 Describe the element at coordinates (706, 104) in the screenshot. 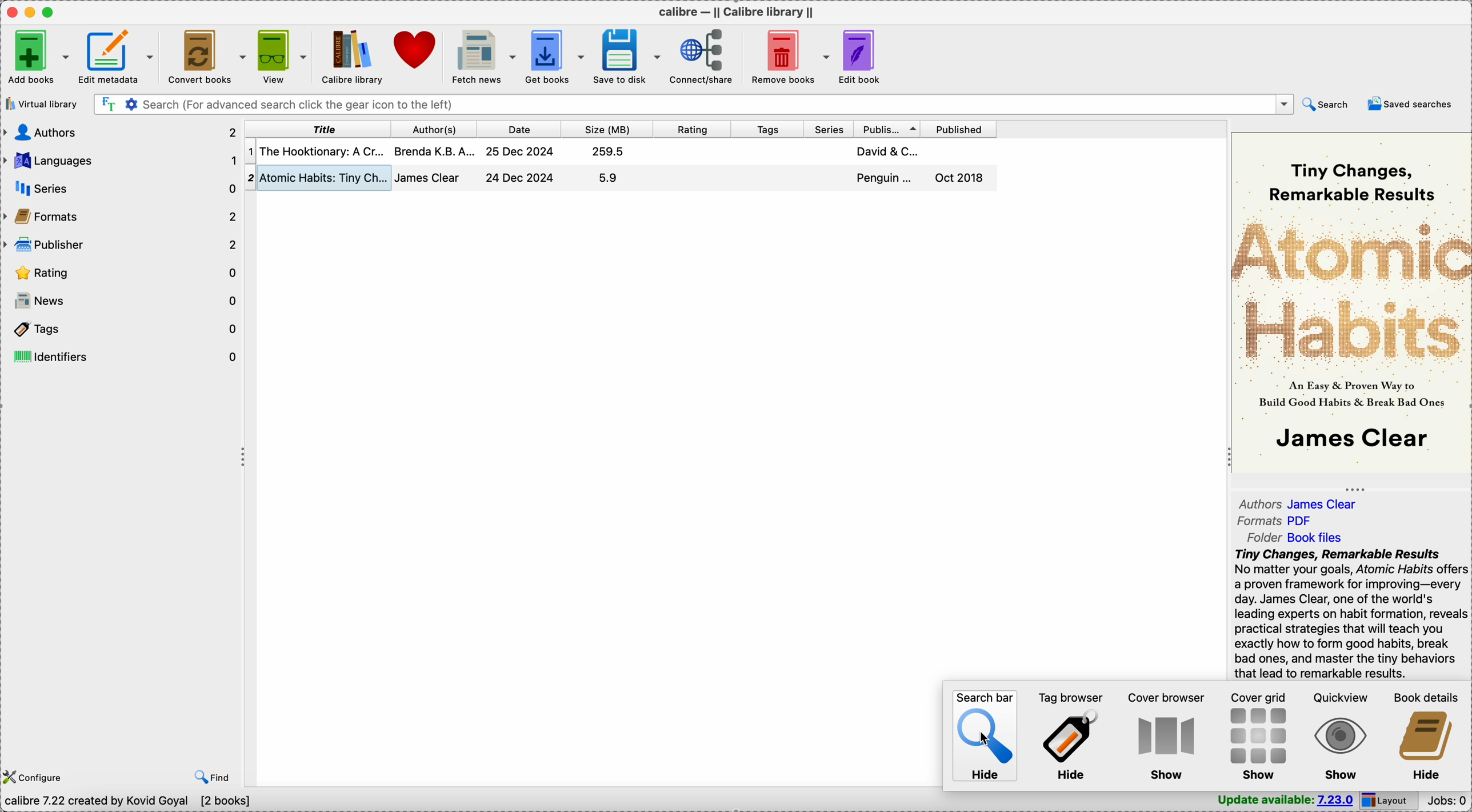

I see `search (for advanced search click the gear icon to the left)` at that location.